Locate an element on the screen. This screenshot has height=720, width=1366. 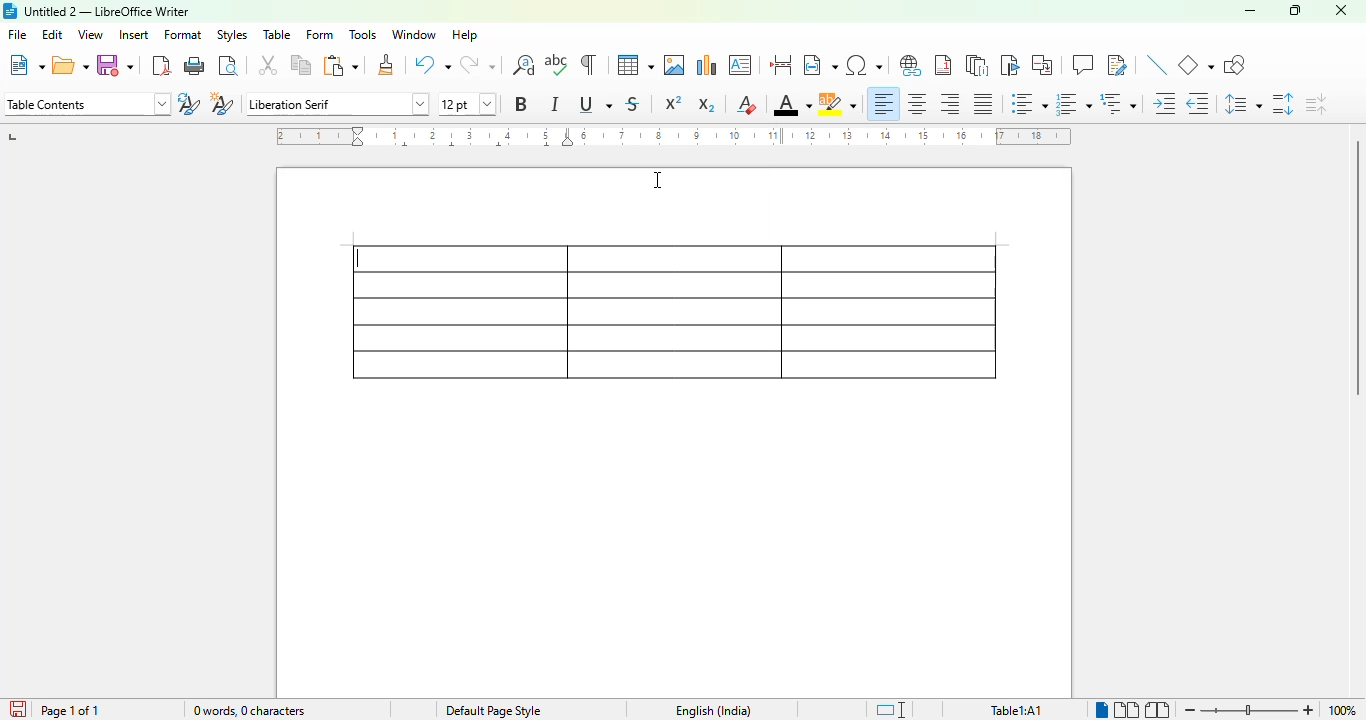
insert cross-reference is located at coordinates (1042, 65).